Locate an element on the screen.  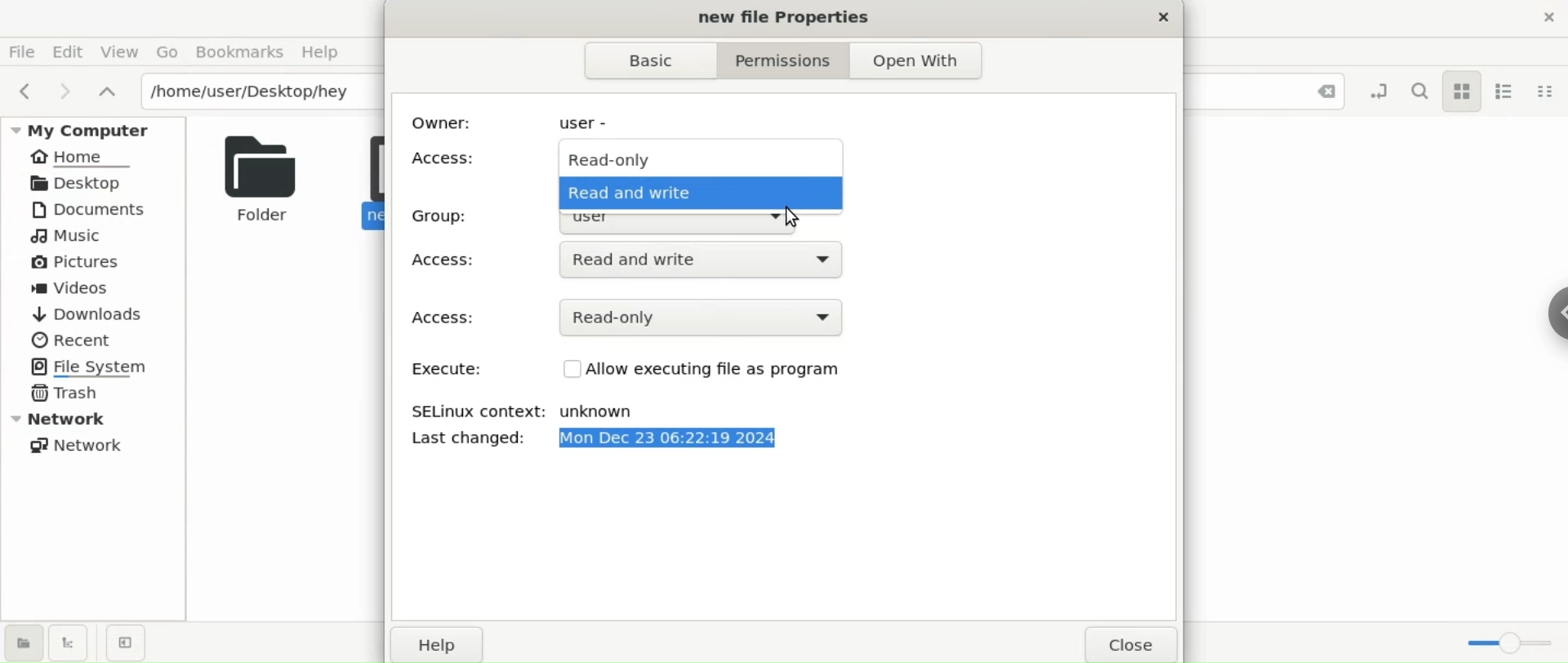
Execute is located at coordinates (455, 375).